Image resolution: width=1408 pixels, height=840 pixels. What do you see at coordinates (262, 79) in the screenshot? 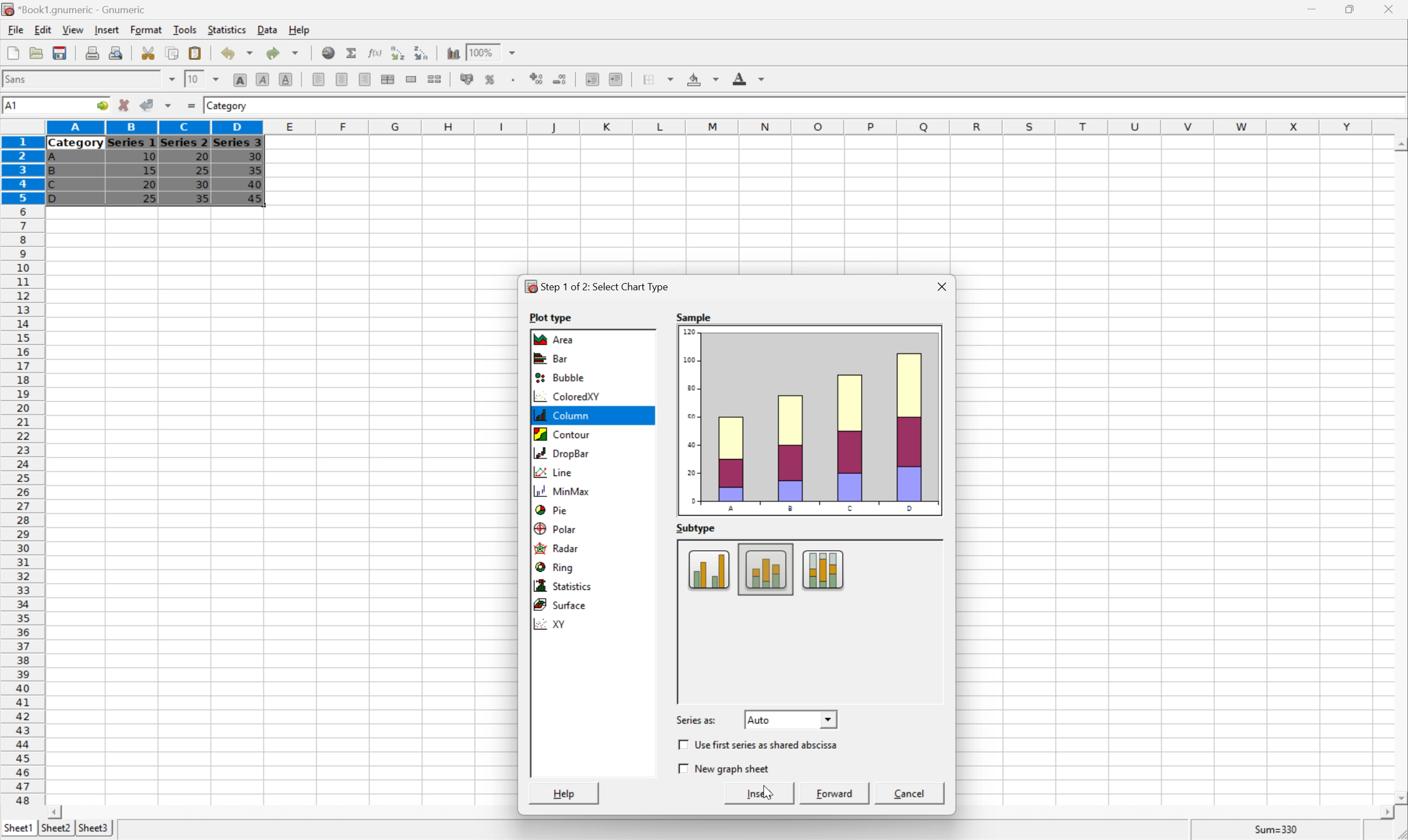
I see `Italic` at bounding box center [262, 79].